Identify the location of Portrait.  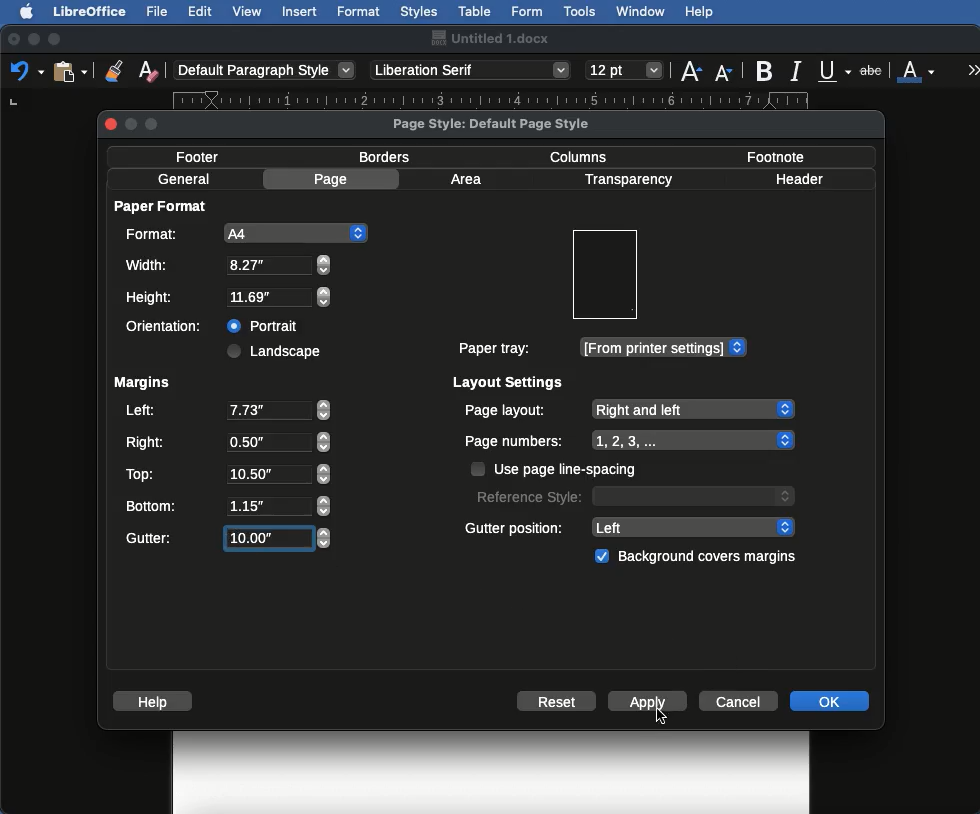
(265, 323).